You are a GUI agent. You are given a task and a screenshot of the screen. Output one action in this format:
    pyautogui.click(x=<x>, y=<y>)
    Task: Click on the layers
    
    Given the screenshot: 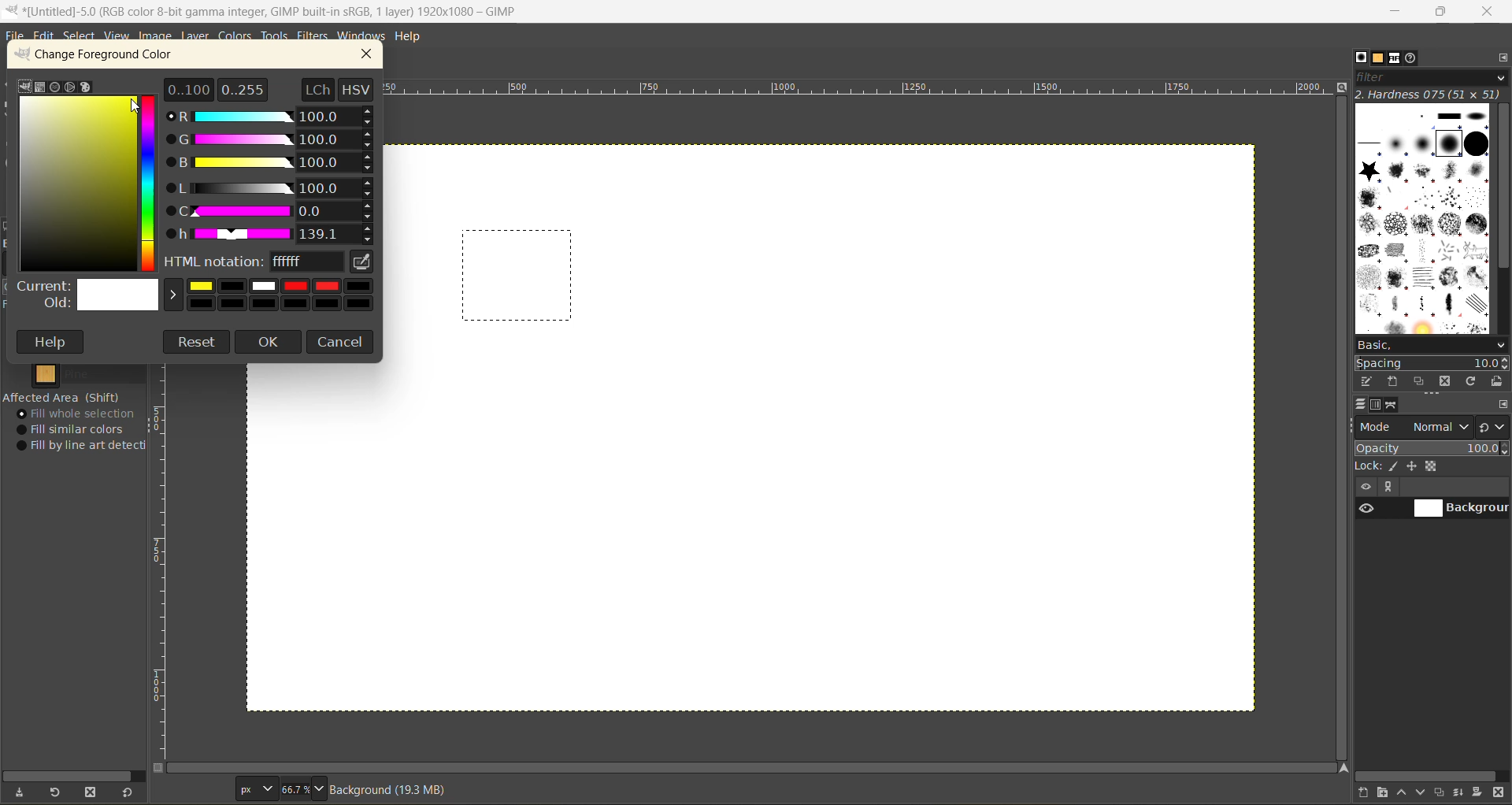 What is the action you would take?
    pyautogui.click(x=1363, y=406)
    